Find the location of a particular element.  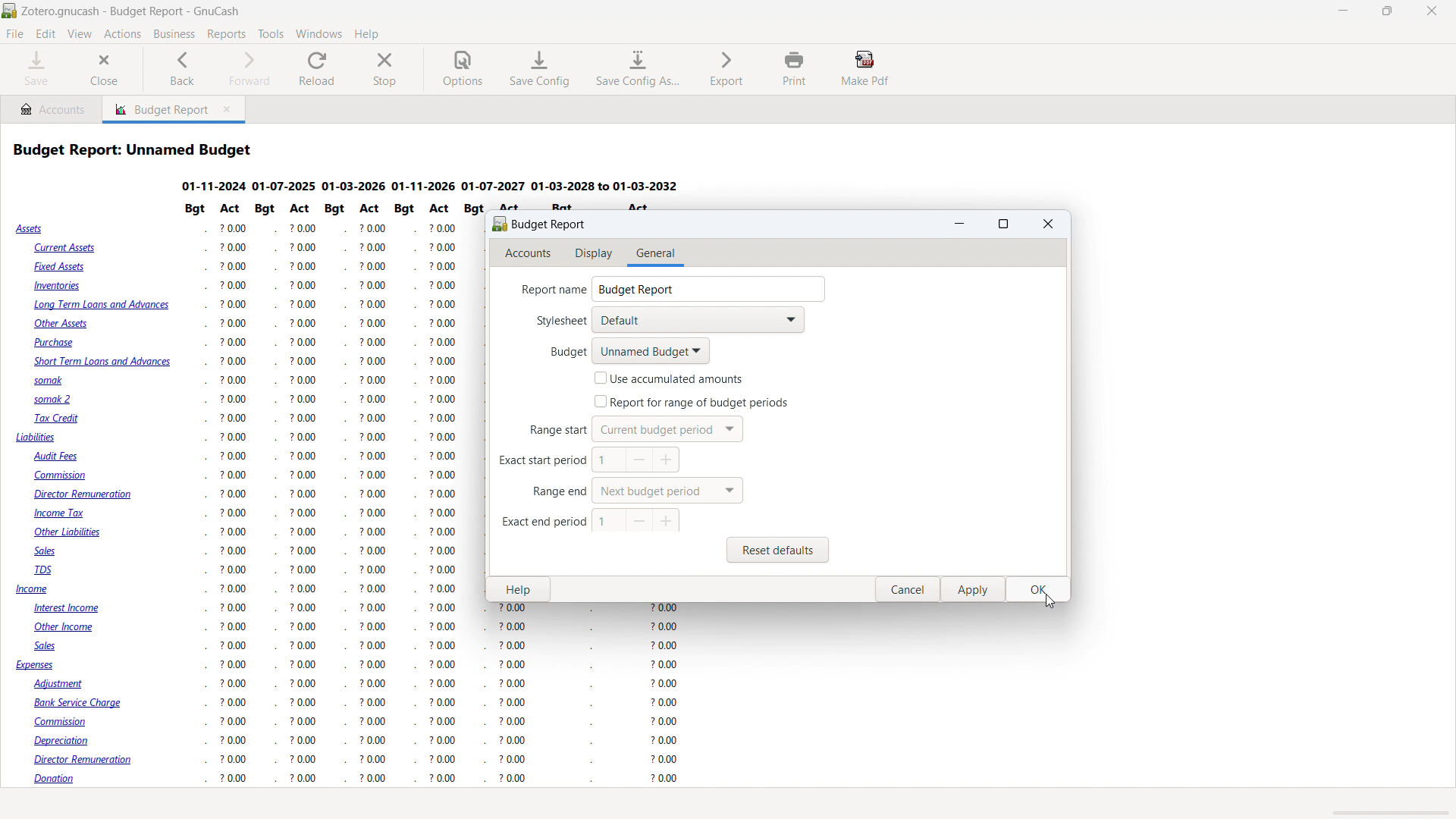

Assets is located at coordinates (31, 229).